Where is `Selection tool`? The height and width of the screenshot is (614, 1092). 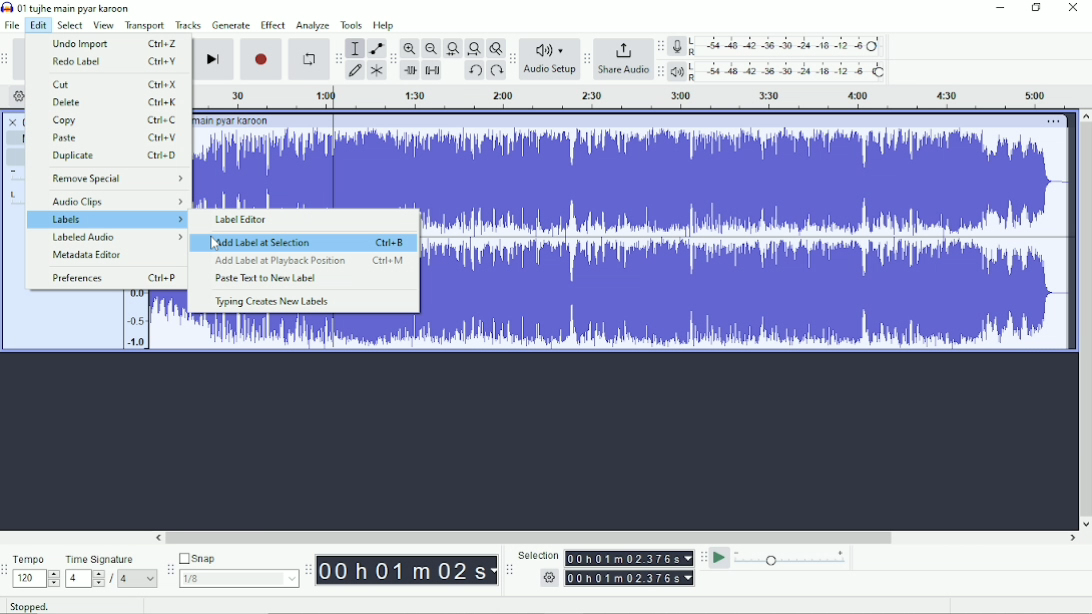 Selection tool is located at coordinates (355, 48).